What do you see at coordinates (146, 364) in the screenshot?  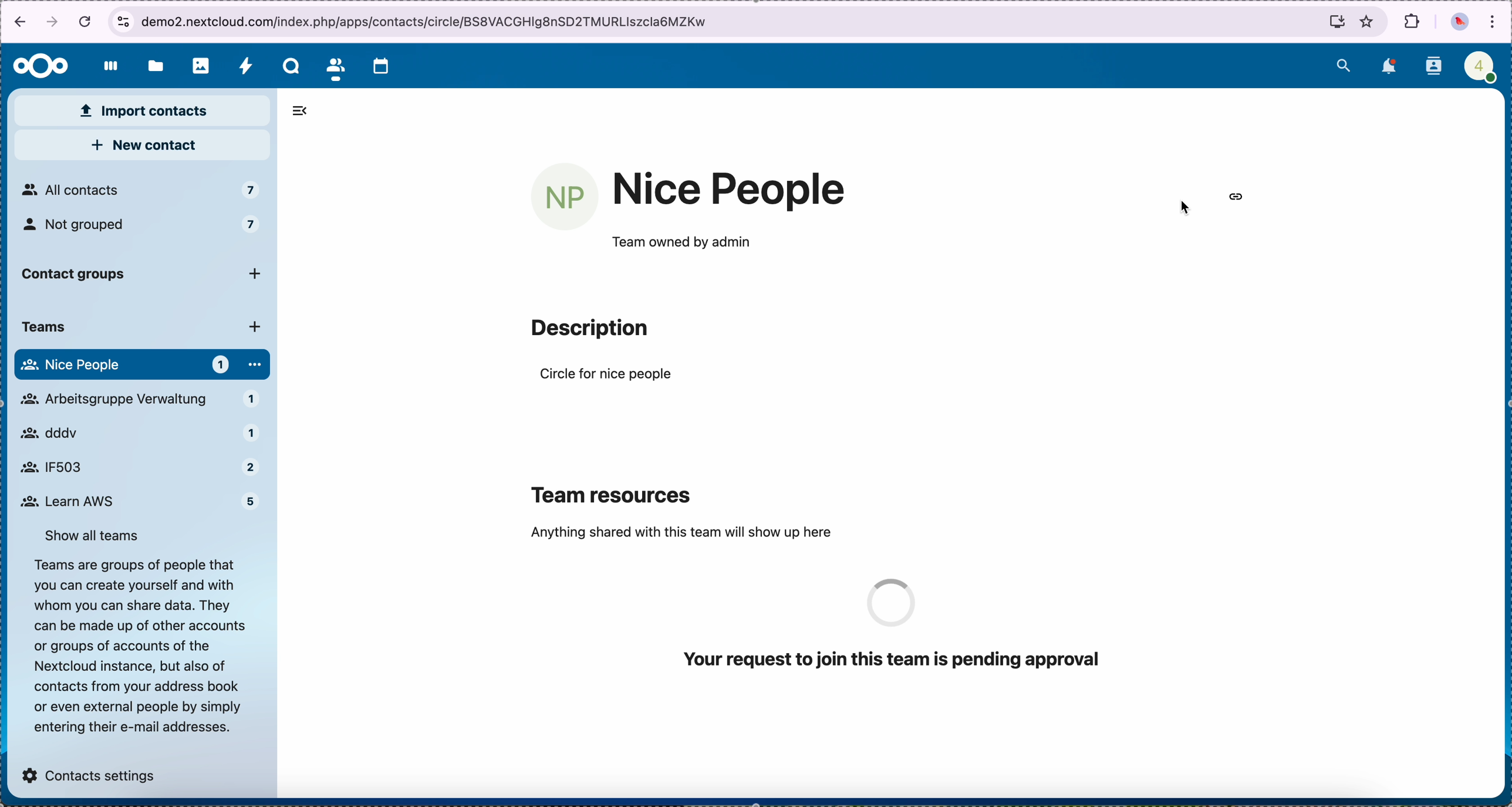 I see `group` at bounding box center [146, 364].